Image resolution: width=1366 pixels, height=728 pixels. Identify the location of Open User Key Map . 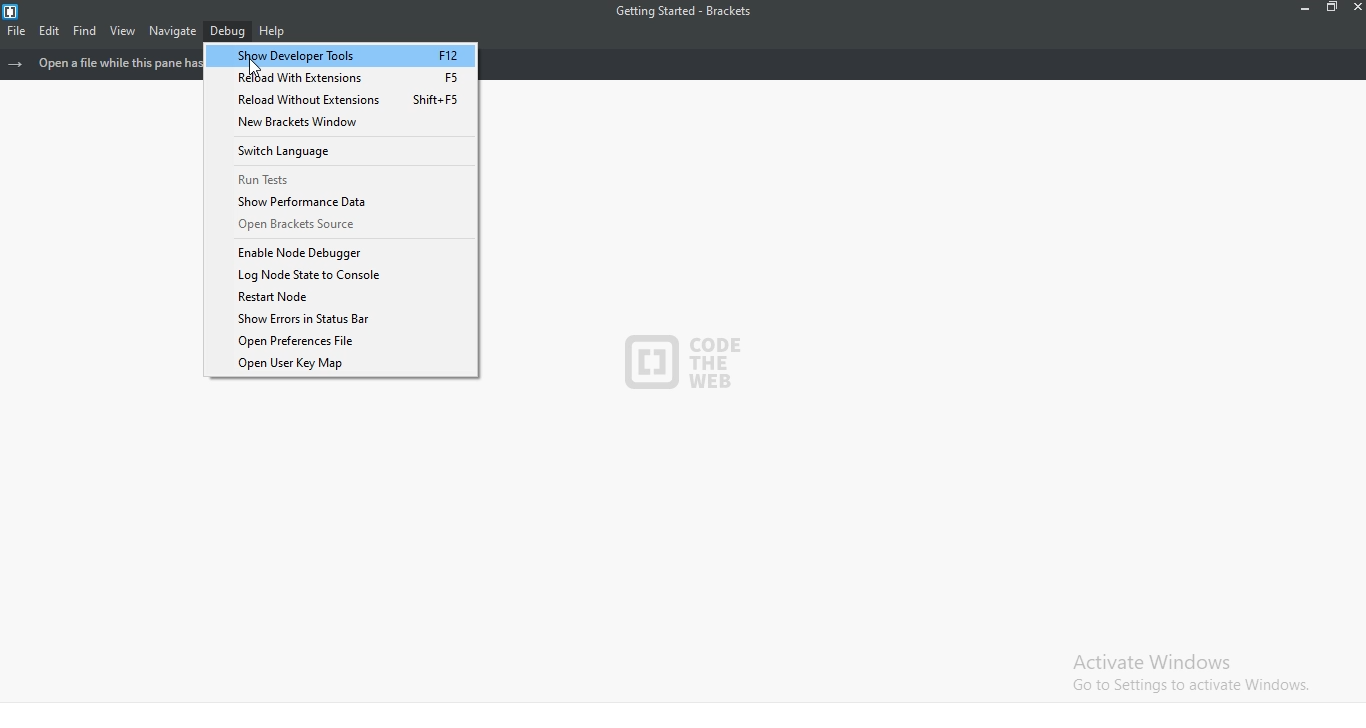
(345, 366).